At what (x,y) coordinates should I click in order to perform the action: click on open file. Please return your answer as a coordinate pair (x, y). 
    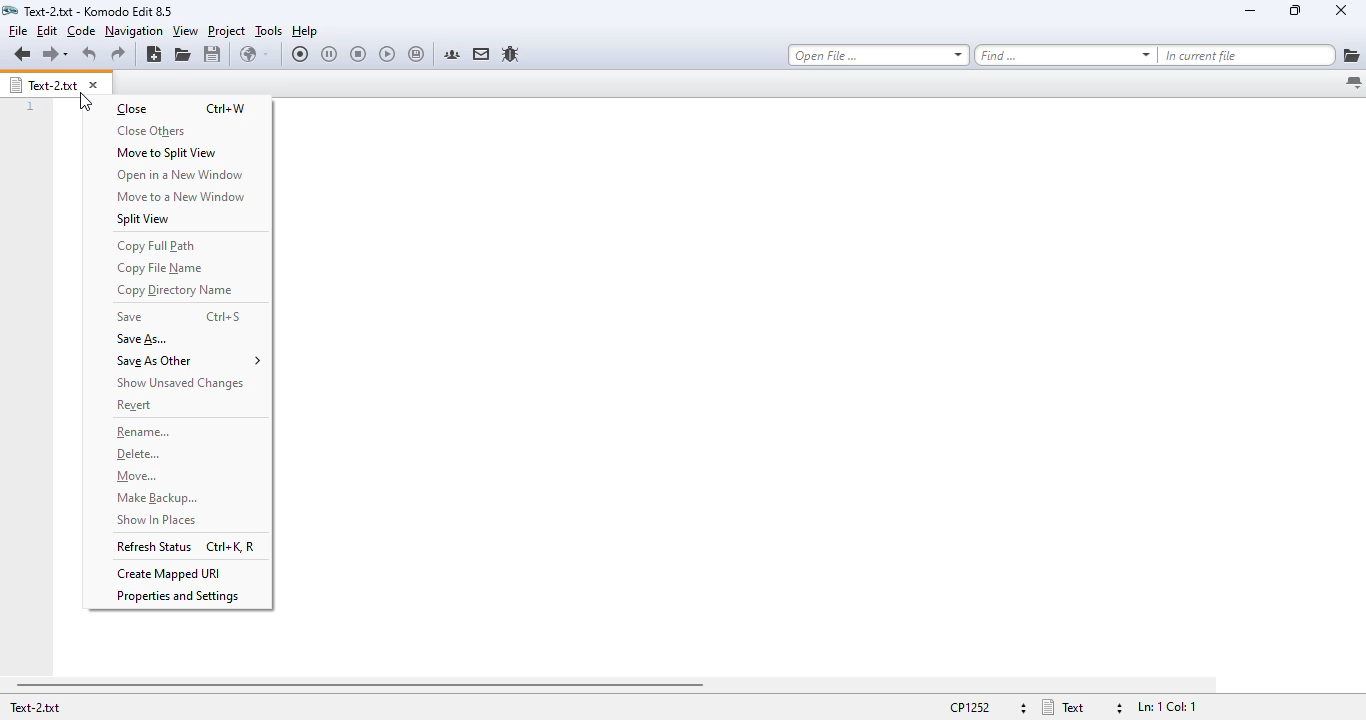
    Looking at the image, I should click on (879, 55).